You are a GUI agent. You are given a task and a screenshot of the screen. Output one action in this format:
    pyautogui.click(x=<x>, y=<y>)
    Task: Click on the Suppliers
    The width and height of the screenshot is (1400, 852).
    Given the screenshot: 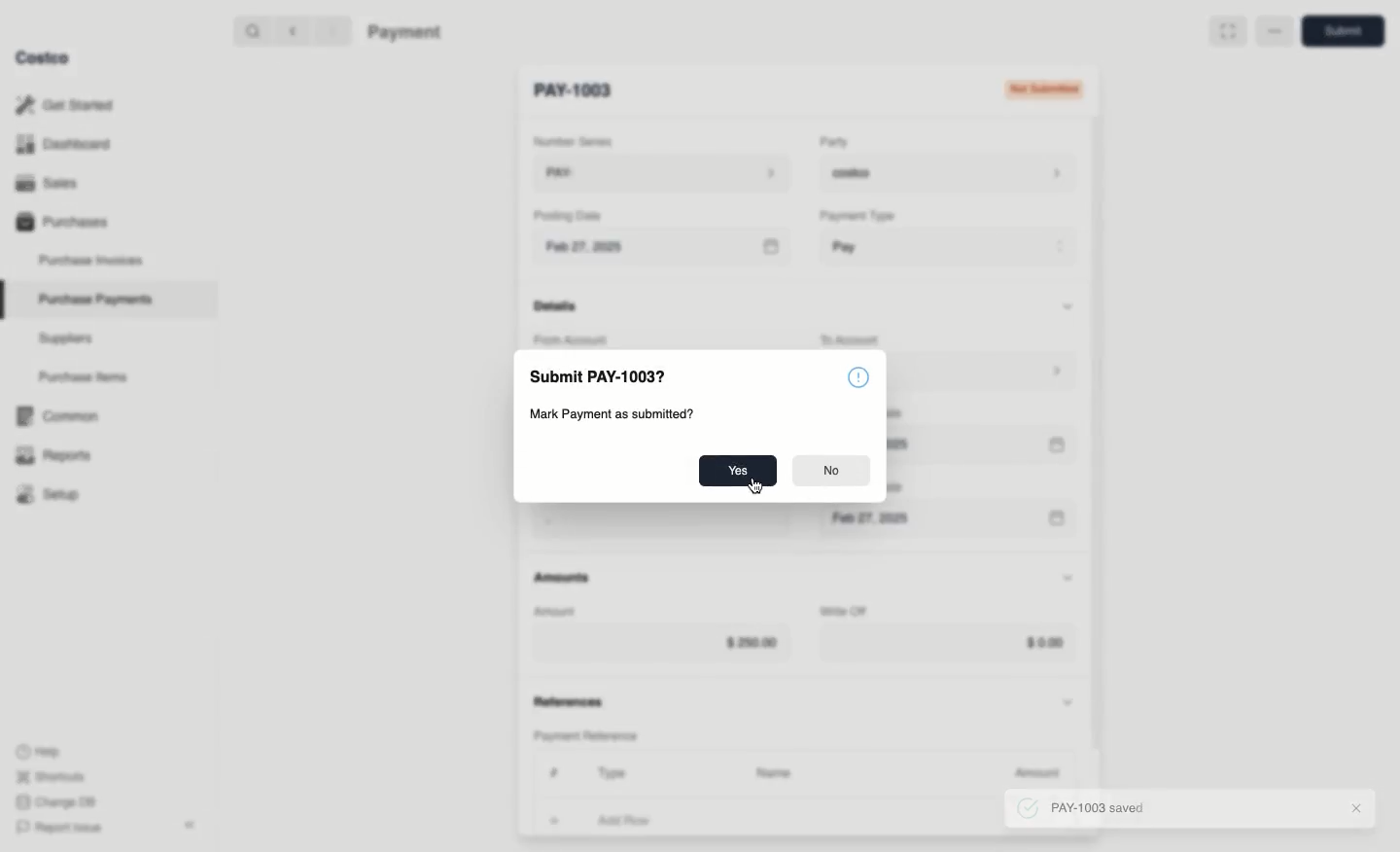 What is the action you would take?
    pyautogui.click(x=66, y=337)
    